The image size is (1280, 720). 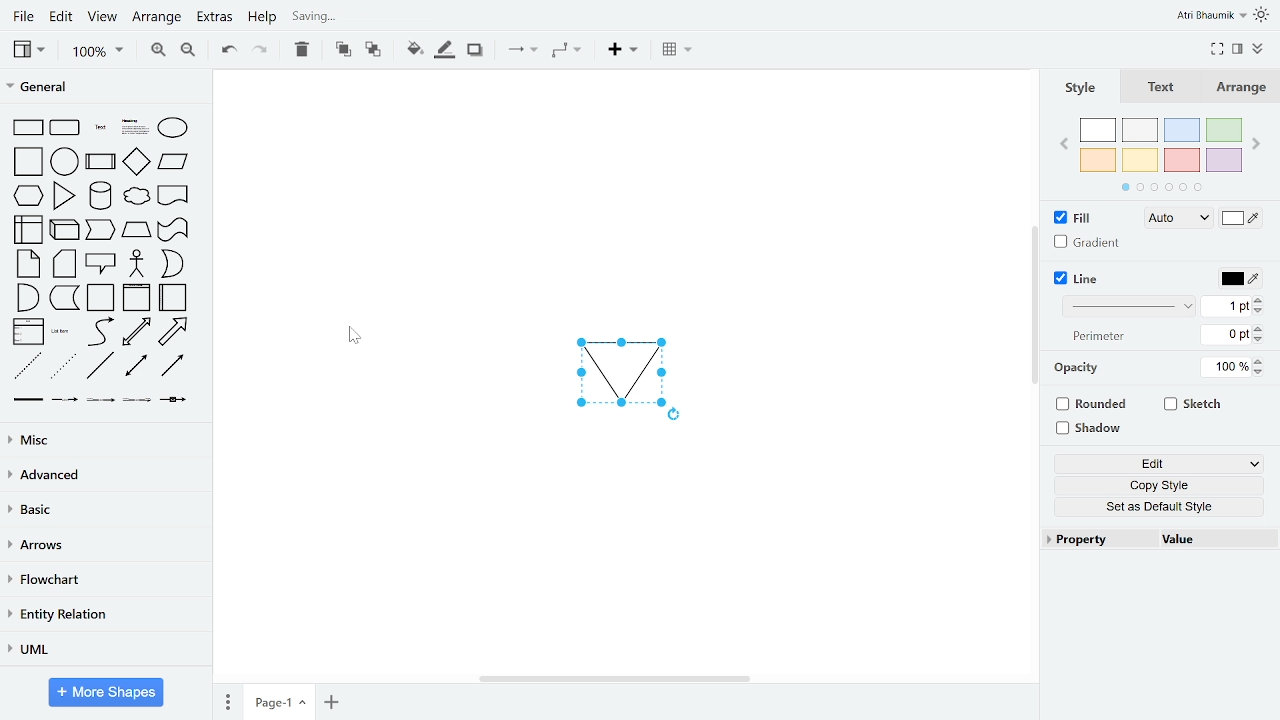 What do you see at coordinates (27, 333) in the screenshot?
I see `list` at bounding box center [27, 333].